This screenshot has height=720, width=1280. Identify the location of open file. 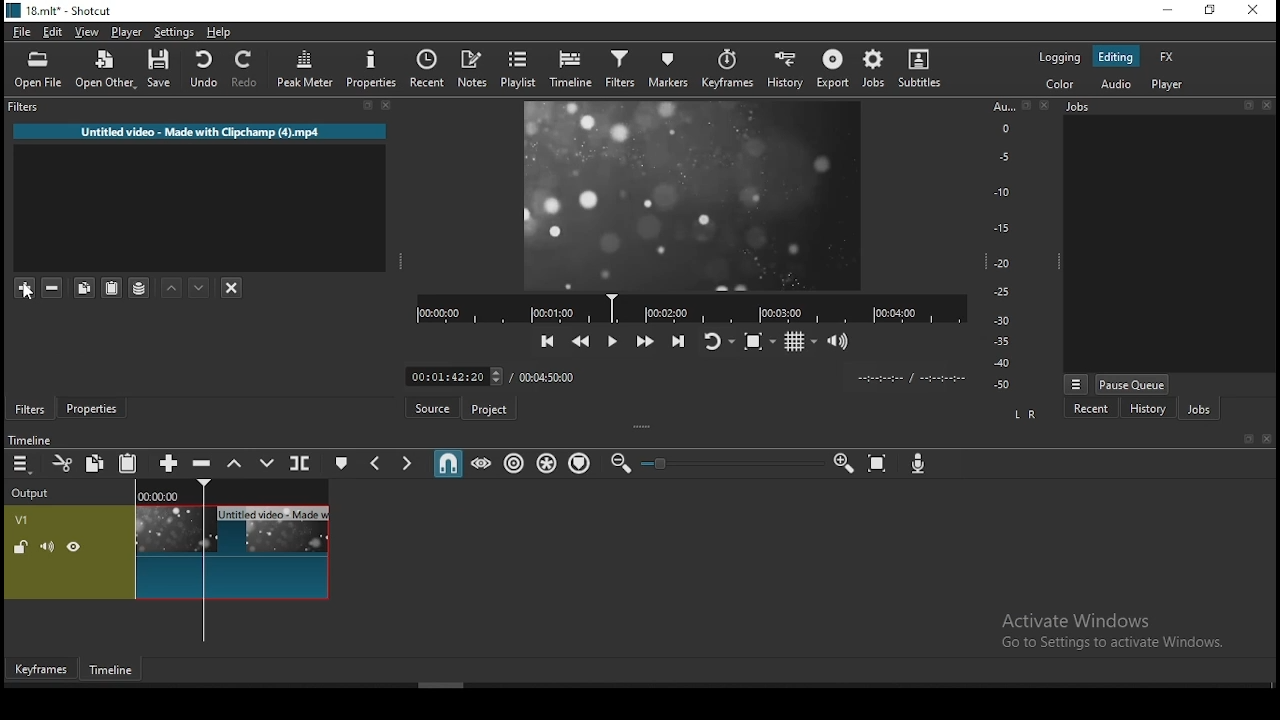
(38, 71).